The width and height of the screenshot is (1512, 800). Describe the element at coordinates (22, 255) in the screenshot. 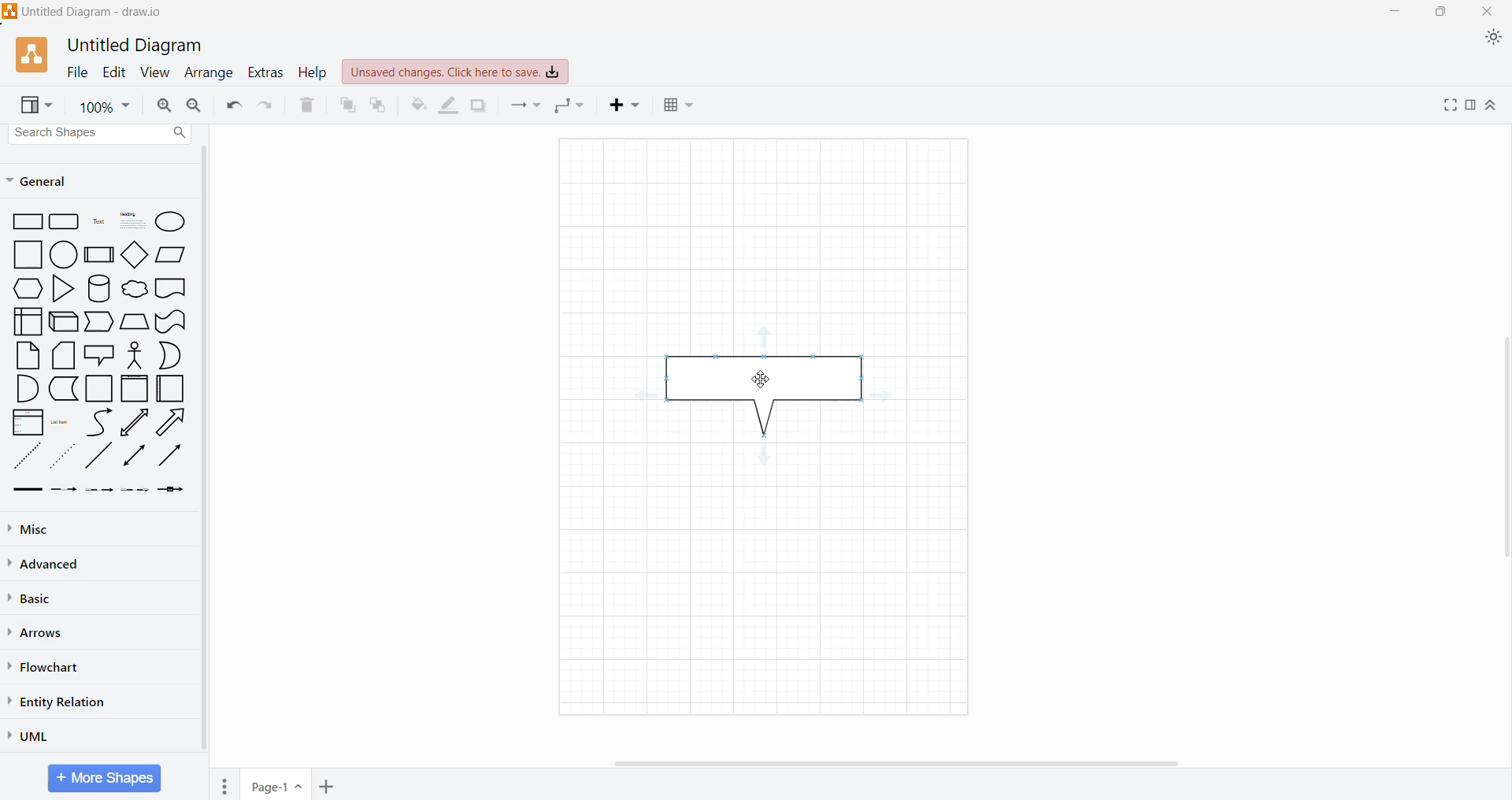

I see `Square` at that location.